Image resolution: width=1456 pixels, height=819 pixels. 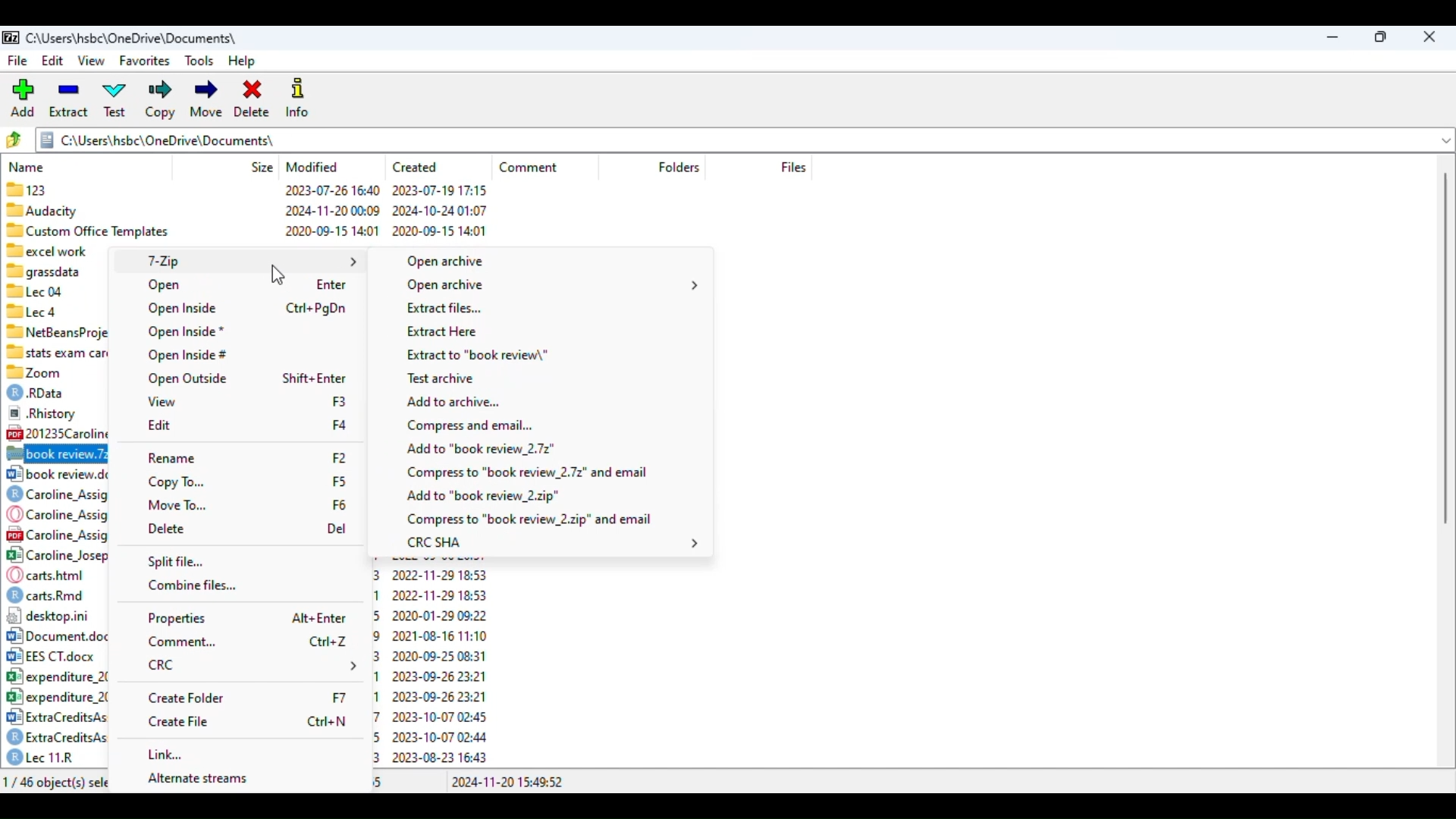 What do you see at coordinates (165, 755) in the screenshot?
I see `link` at bounding box center [165, 755].